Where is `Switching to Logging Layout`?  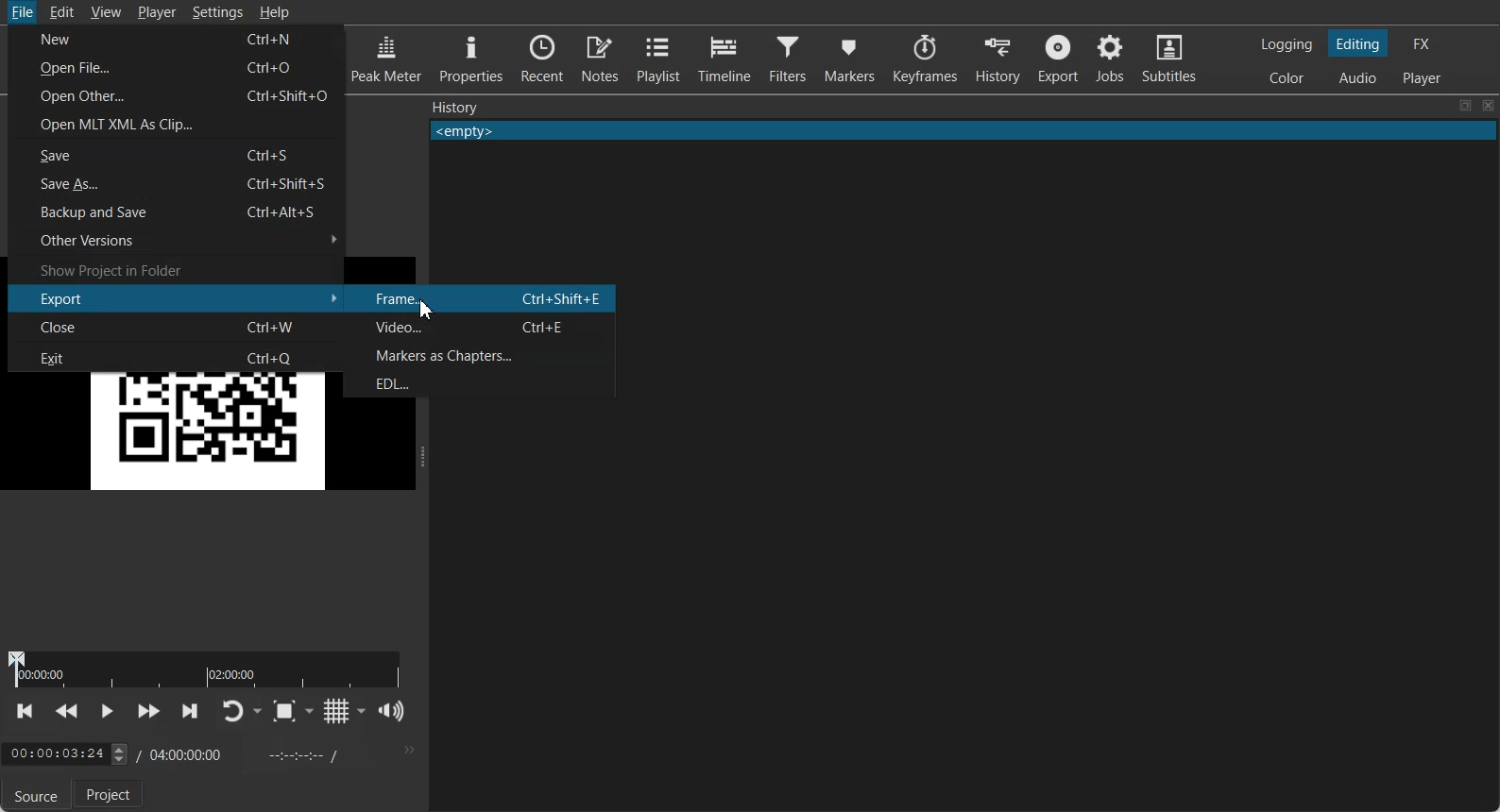
Switching to Logging Layout is located at coordinates (1286, 44).